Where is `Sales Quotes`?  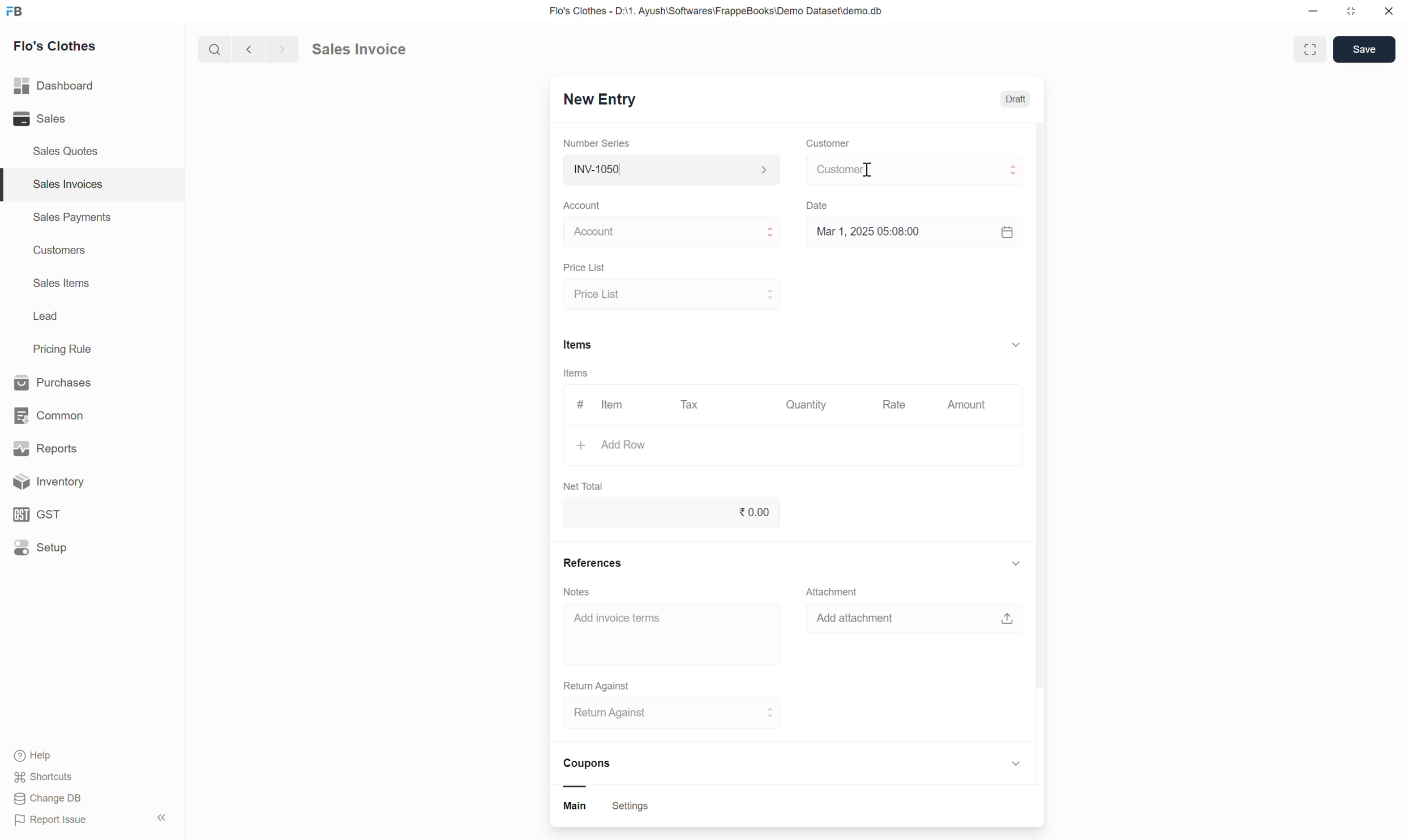 Sales Quotes is located at coordinates (66, 151).